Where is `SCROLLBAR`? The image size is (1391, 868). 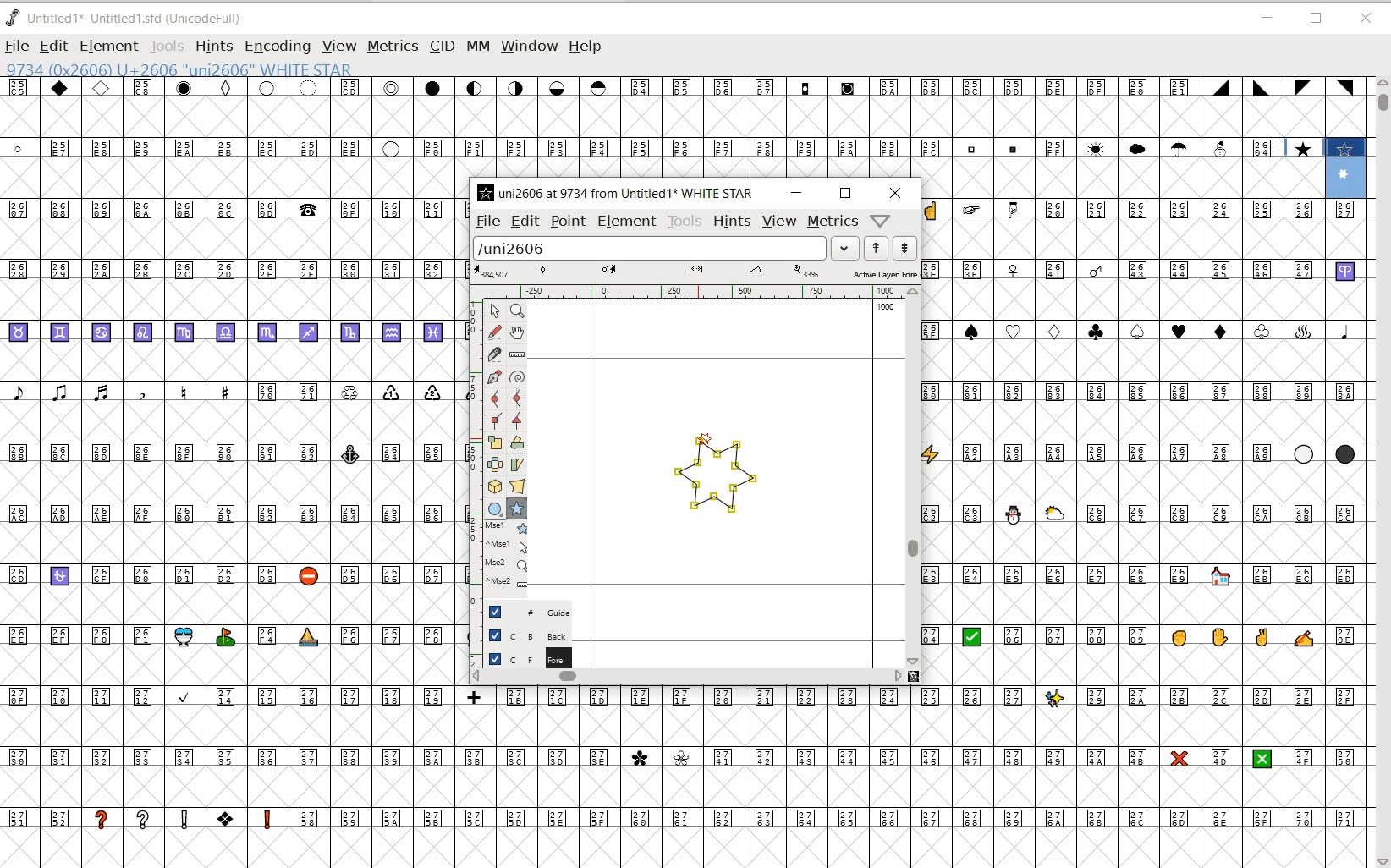
SCROLLBAR is located at coordinates (913, 475).